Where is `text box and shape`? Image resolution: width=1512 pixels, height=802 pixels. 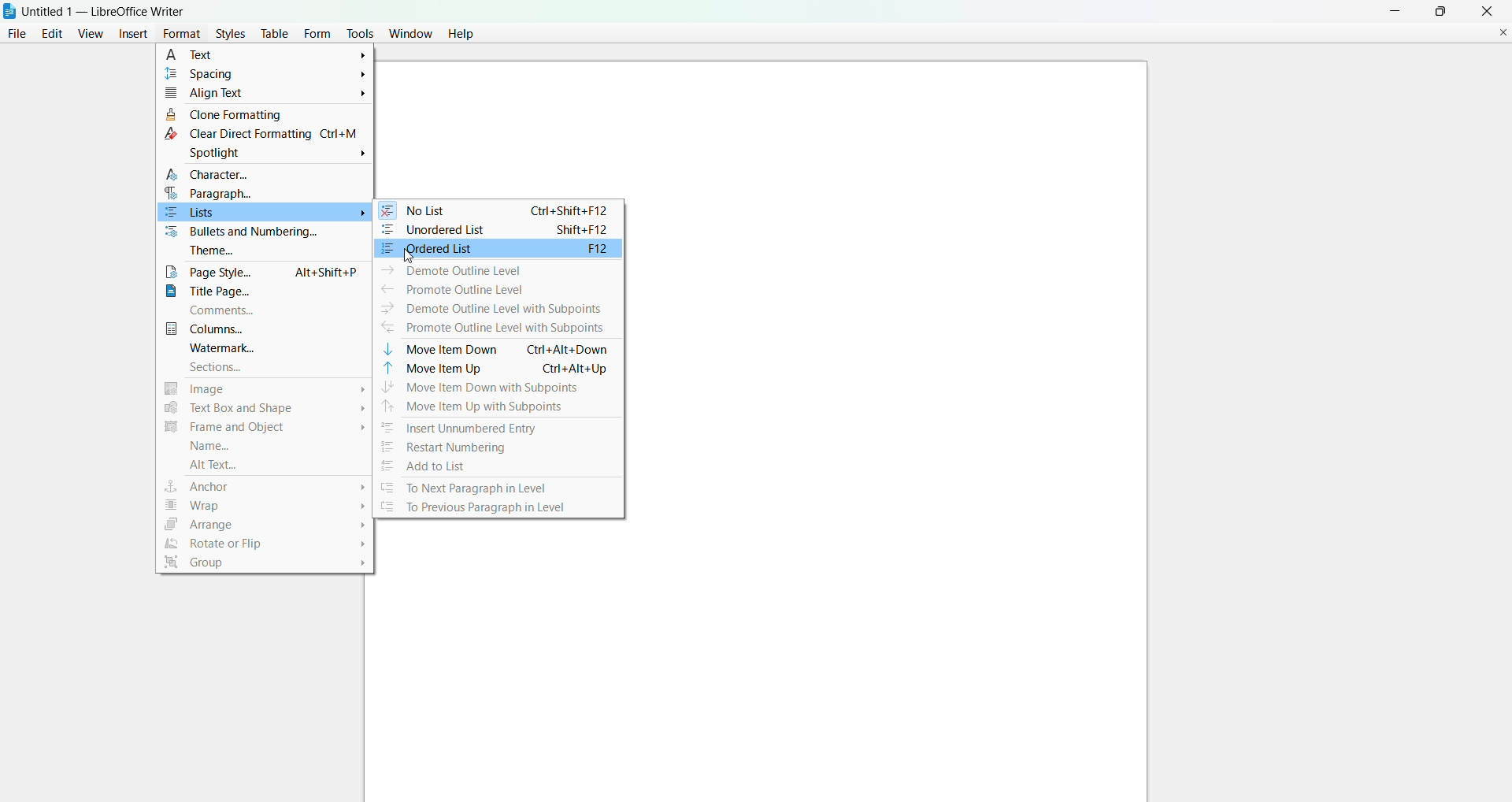
text box and shape is located at coordinates (261, 410).